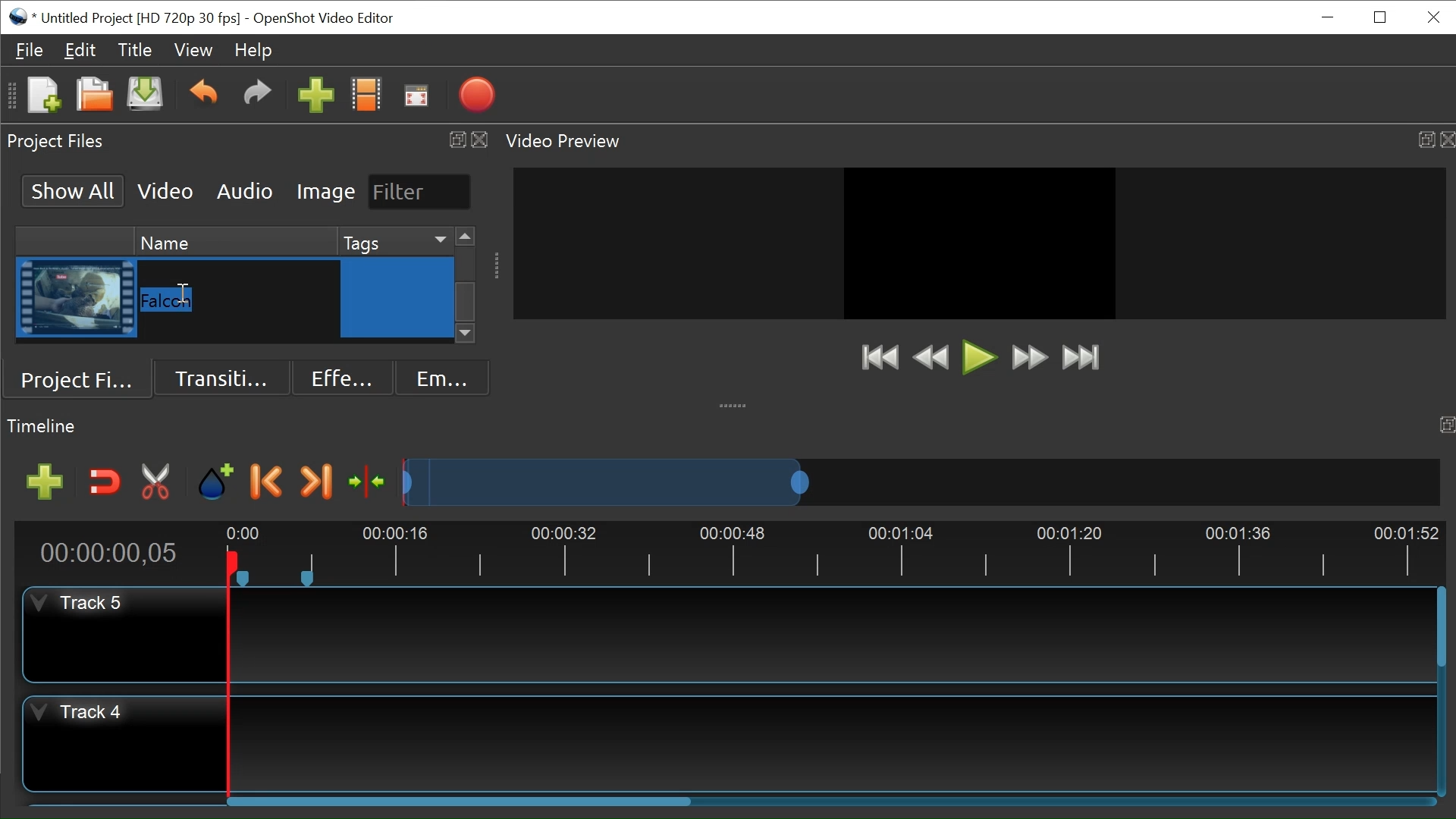  Describe the element at coordinates (399, 300) in the screenshot. I see `Cursor` at that location.